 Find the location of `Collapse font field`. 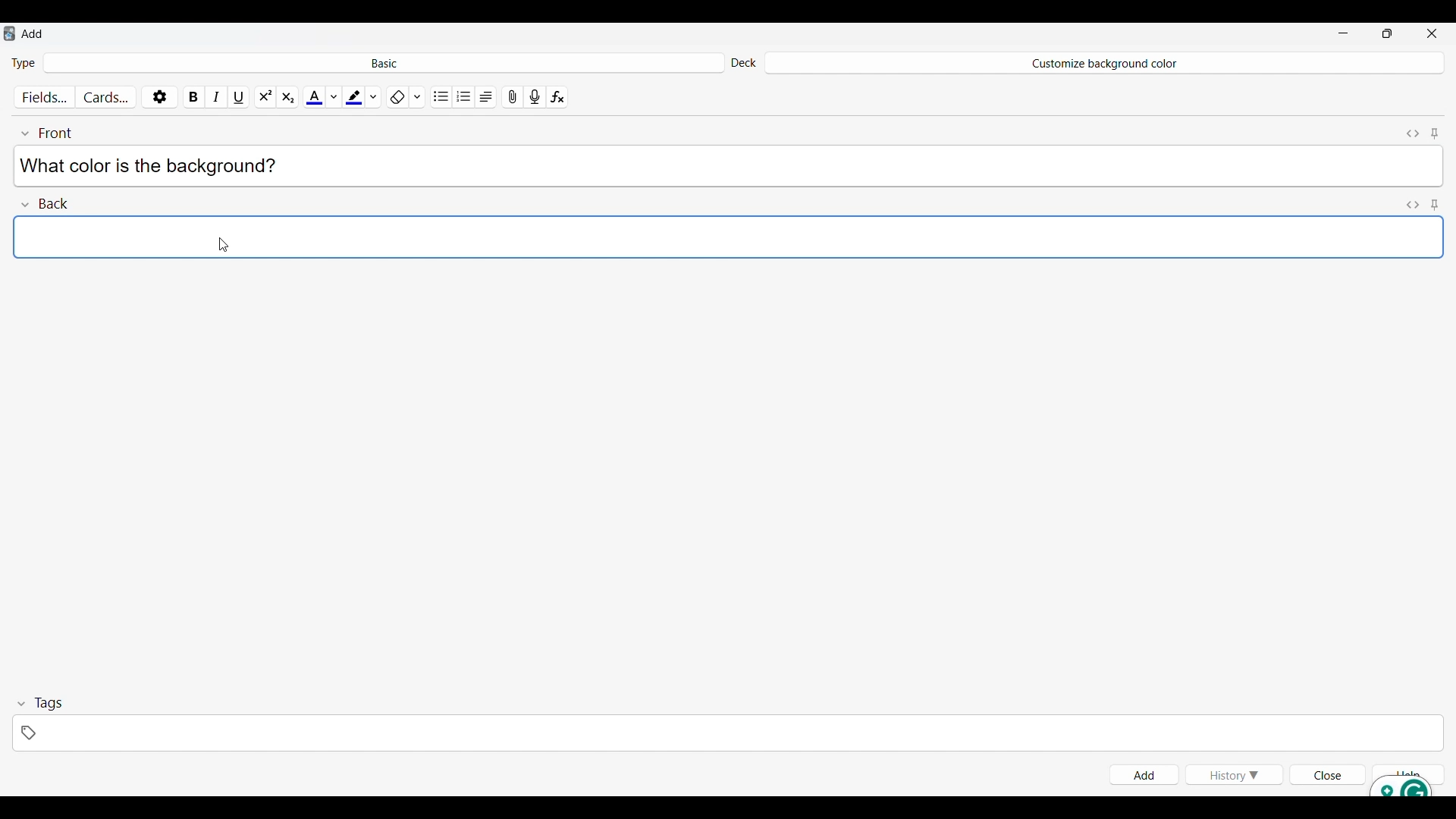

Collapse font field is located at coordinates (46, 131).